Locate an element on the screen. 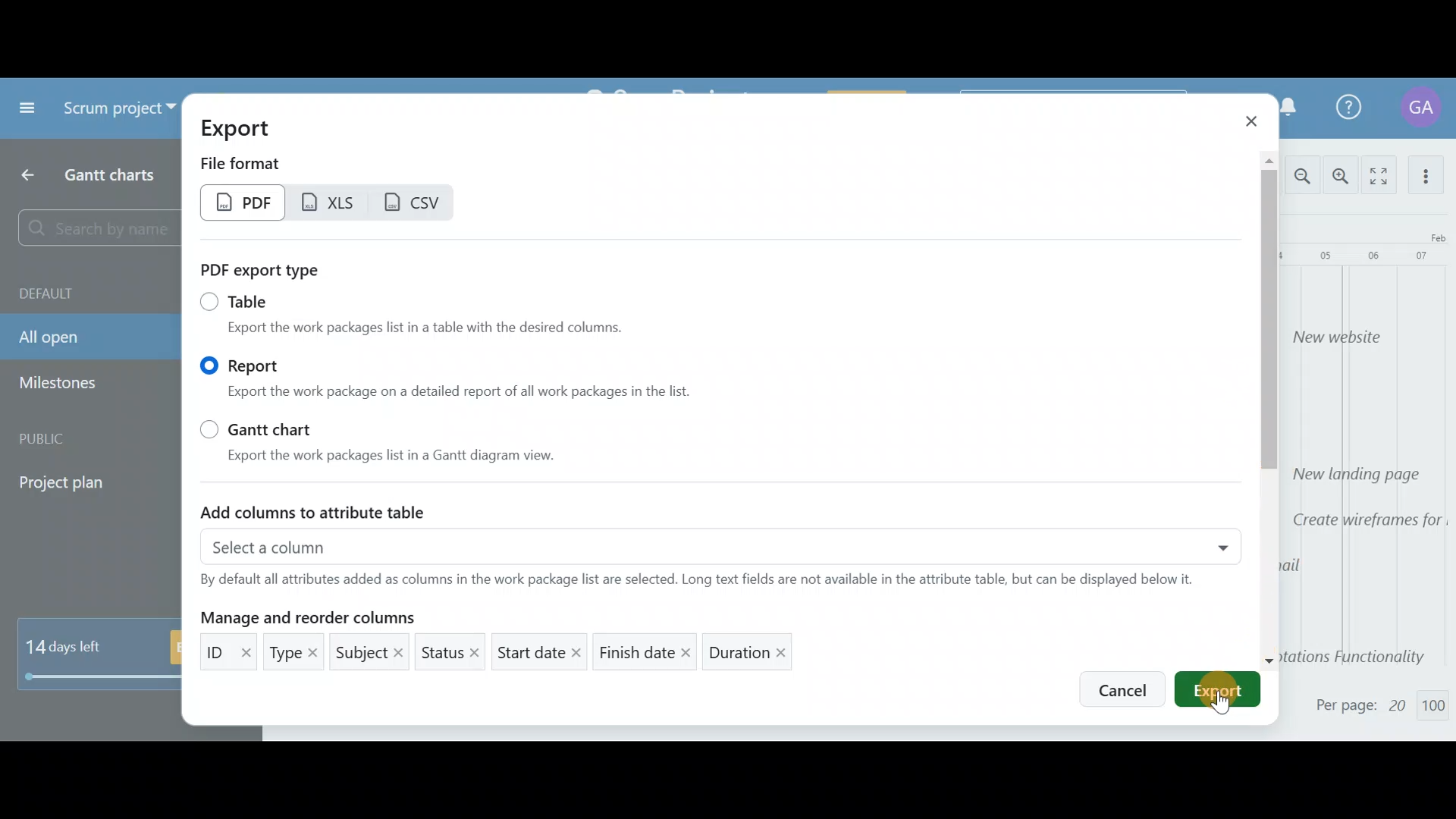 This screenshot has height=819, width=1456. File format is located at coordinates (252, 165).